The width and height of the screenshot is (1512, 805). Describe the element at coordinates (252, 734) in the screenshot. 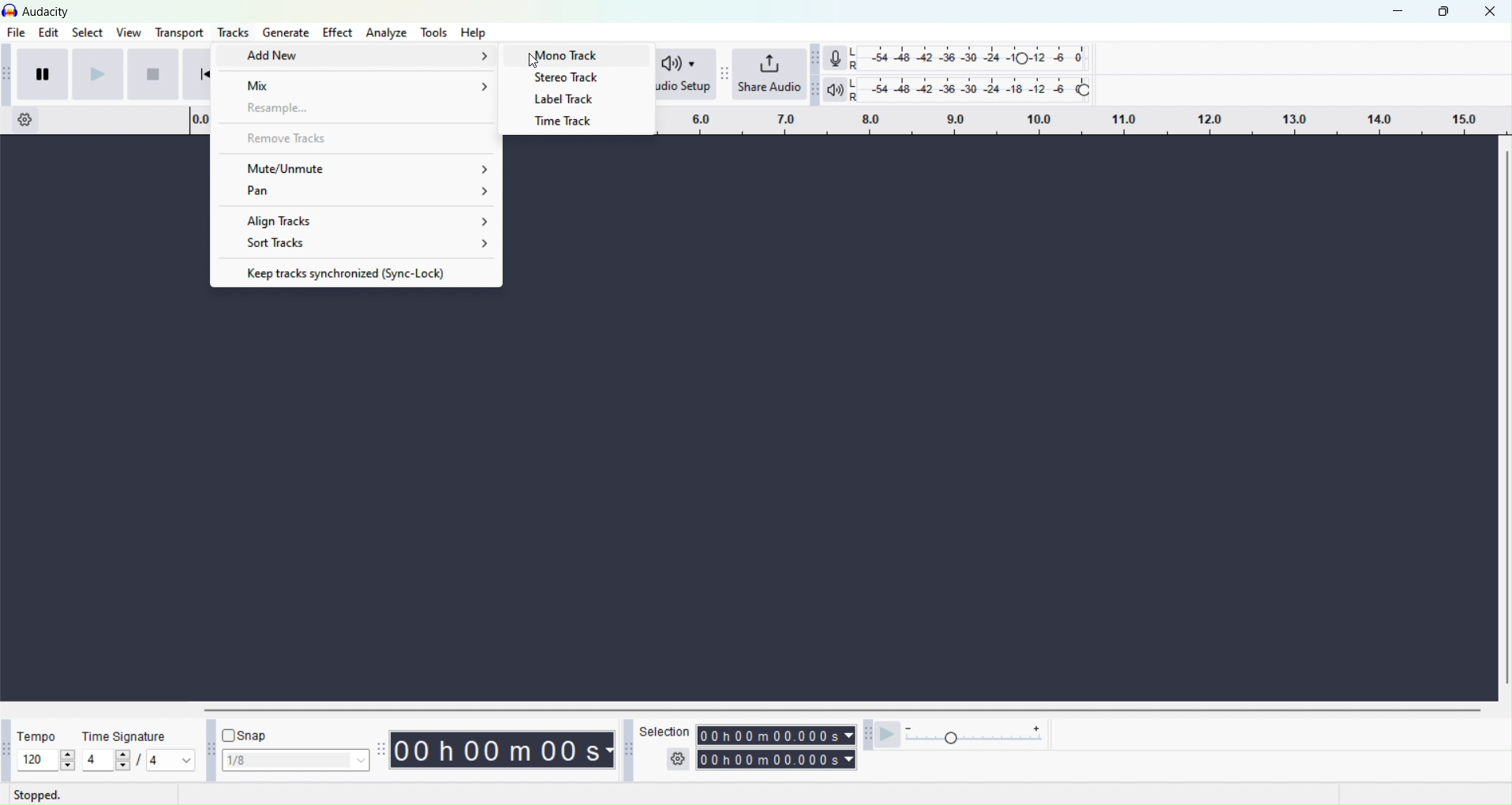

I see `Snap` at that location.